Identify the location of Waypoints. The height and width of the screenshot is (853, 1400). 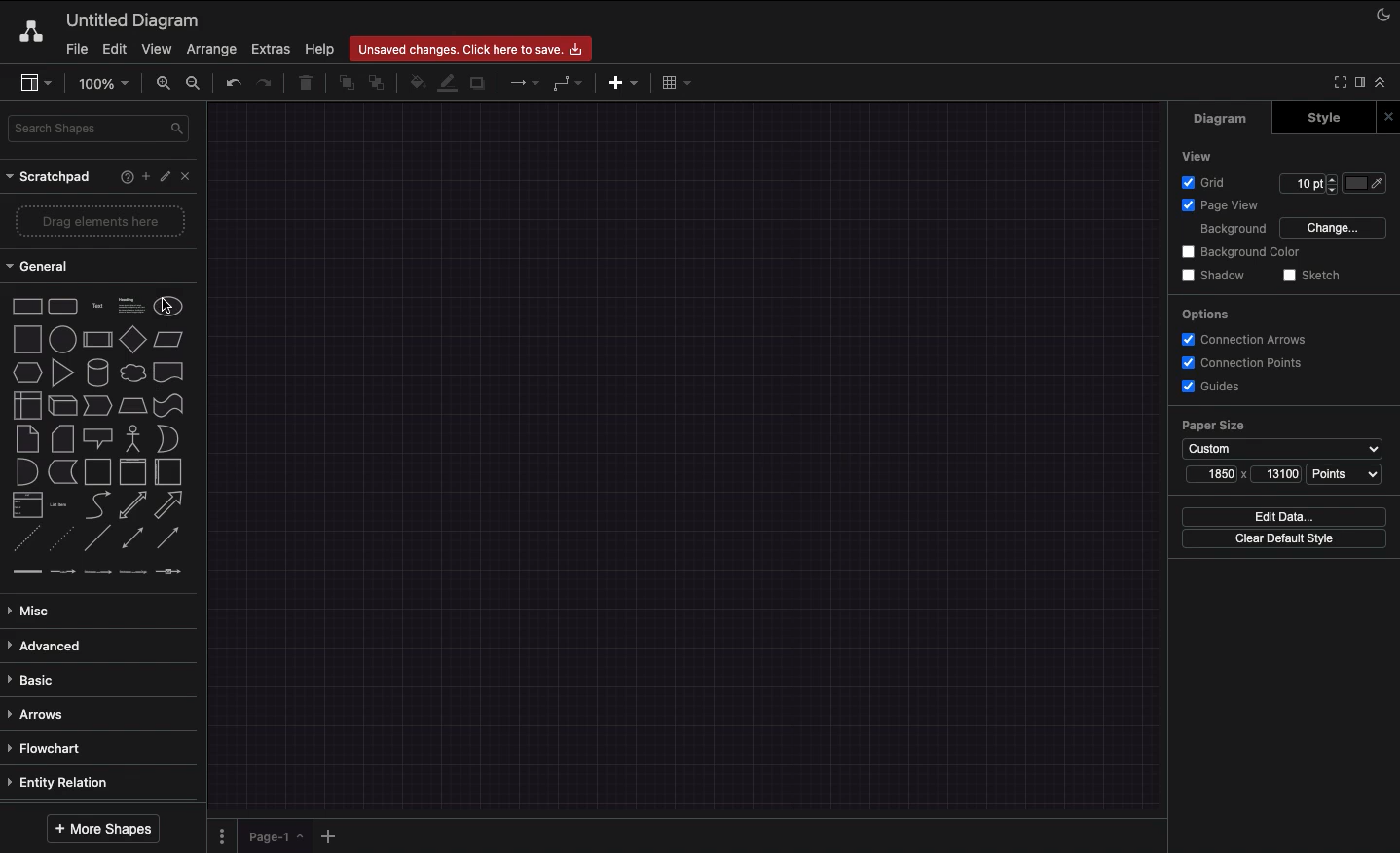
(569, 85).